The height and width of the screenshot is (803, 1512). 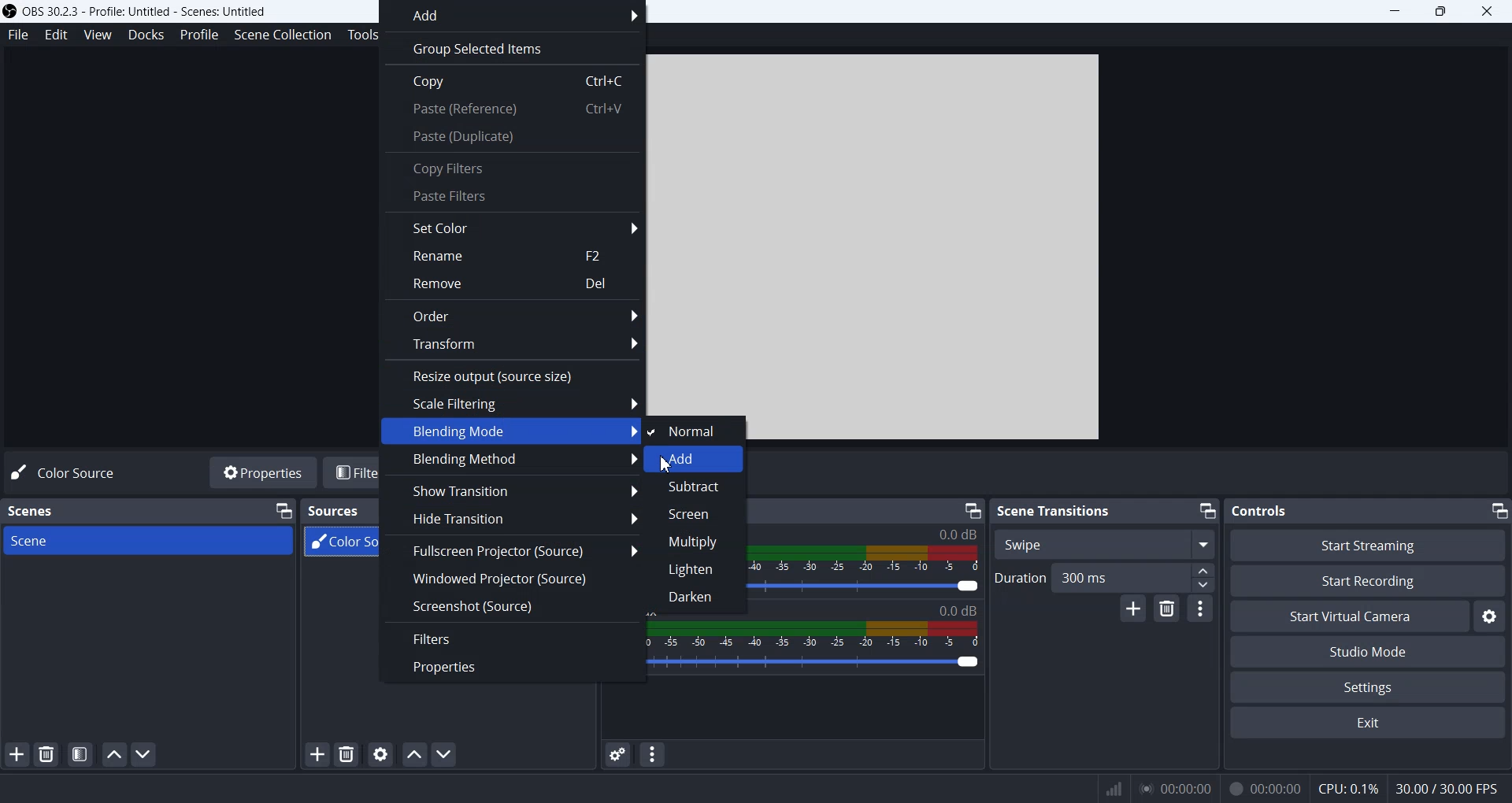 What do you see at coordinates (359, 34) in the screenshot?
I see `Tools` at bounding box center [359, 34].